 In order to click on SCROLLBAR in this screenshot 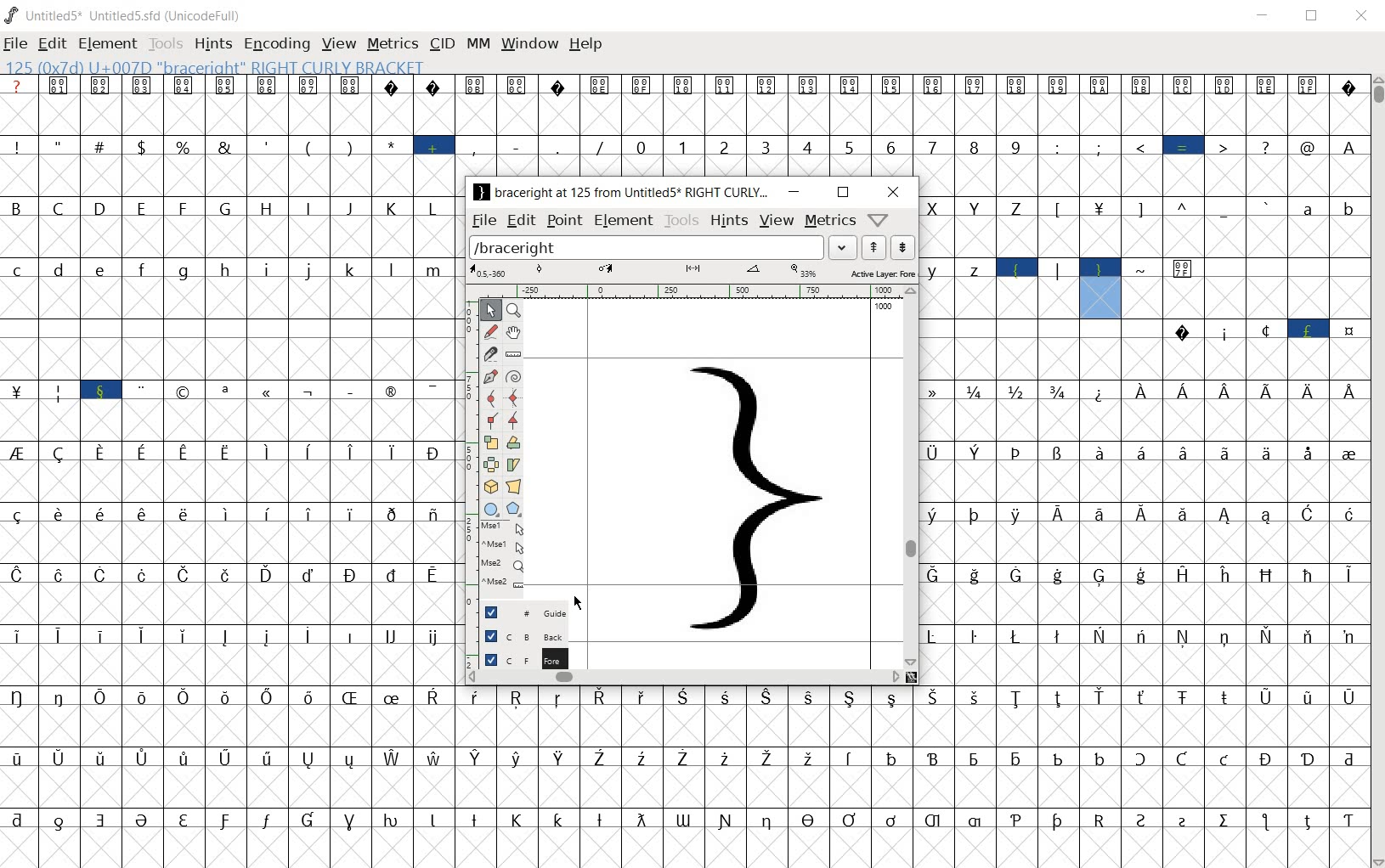, I will do `click(1377, 471)`.